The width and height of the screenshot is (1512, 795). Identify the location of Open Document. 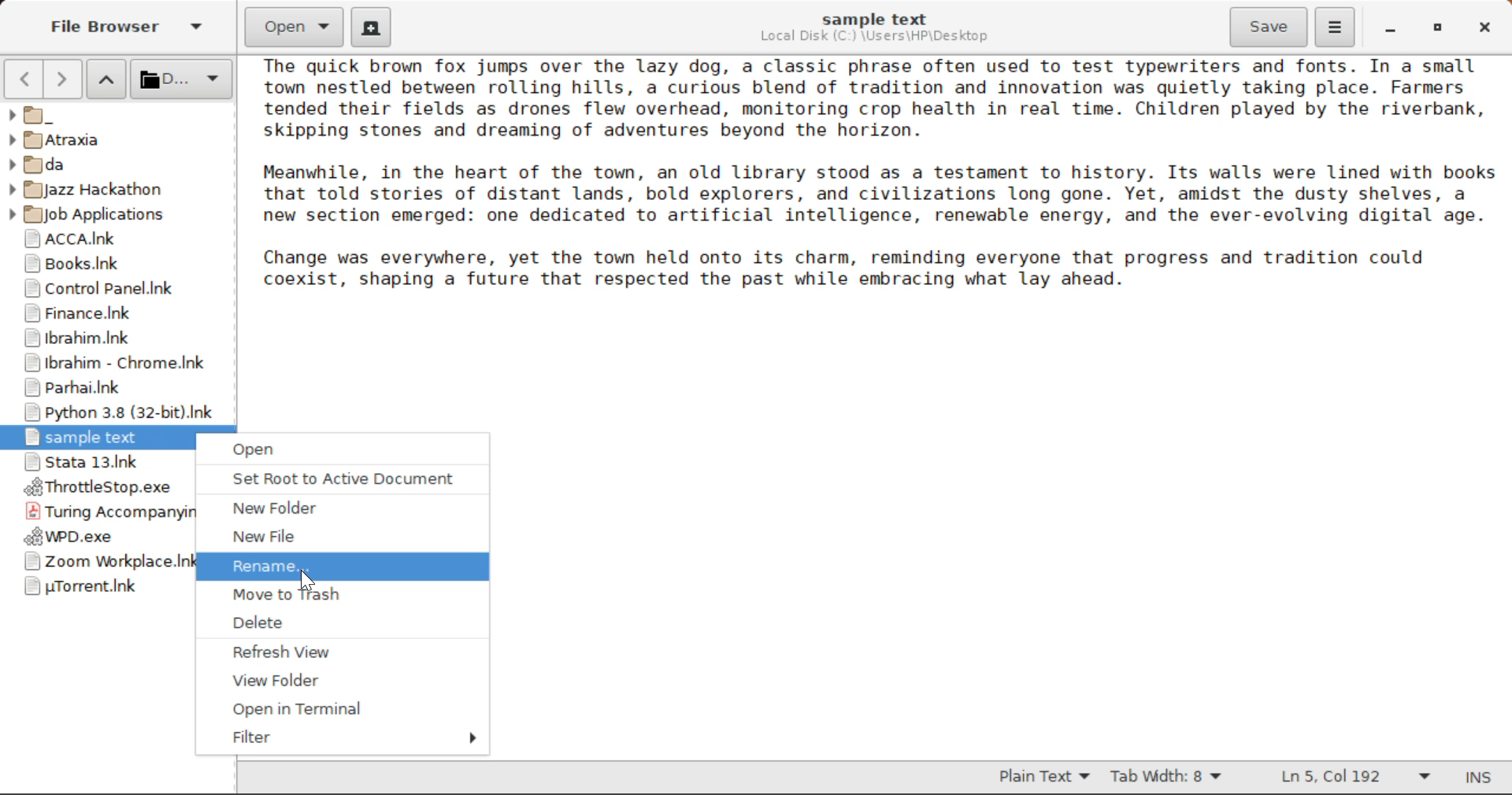
(295, 25).